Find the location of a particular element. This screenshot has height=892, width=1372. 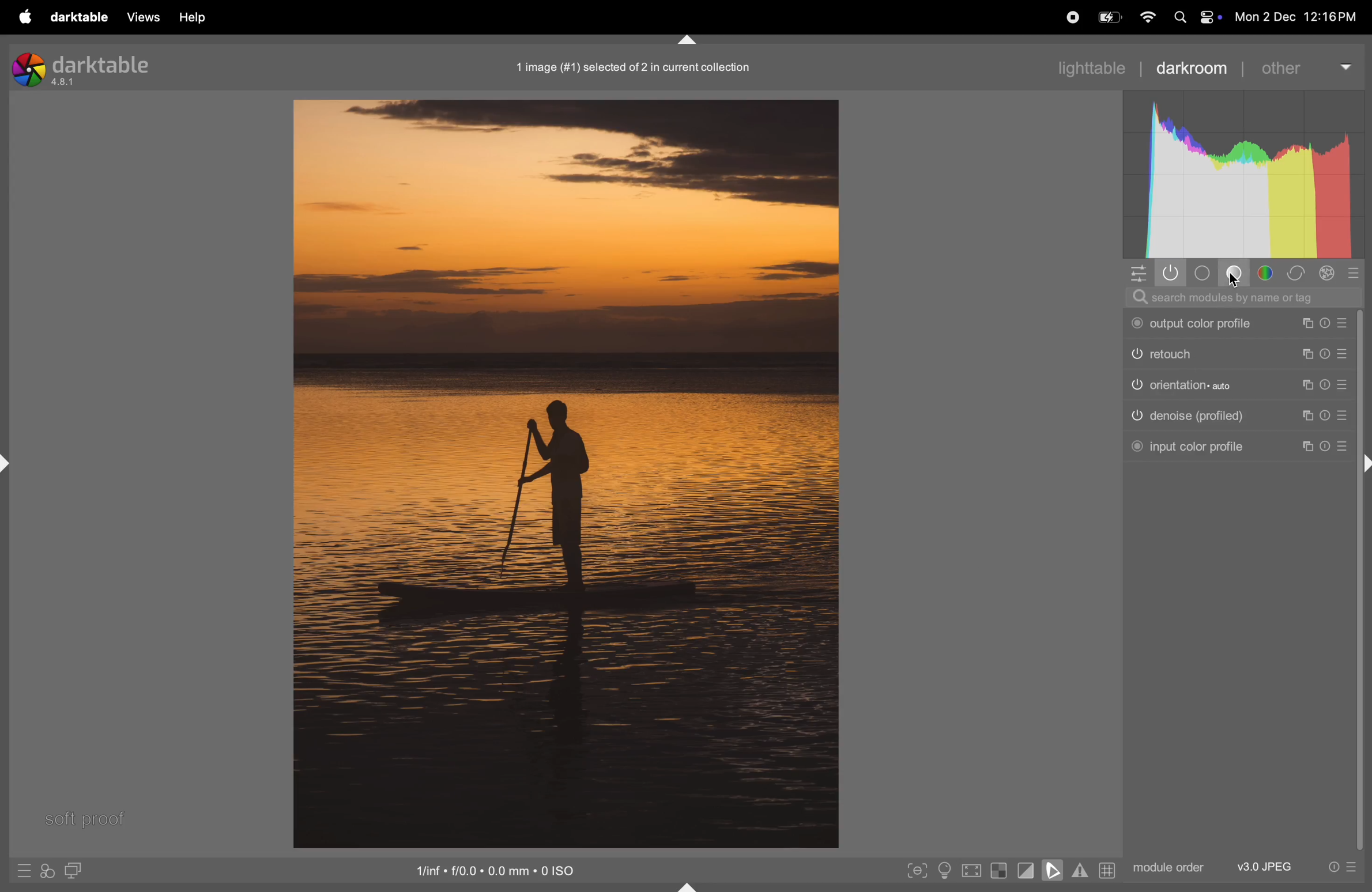

denosie profile is located at coordinates (1241, 415).